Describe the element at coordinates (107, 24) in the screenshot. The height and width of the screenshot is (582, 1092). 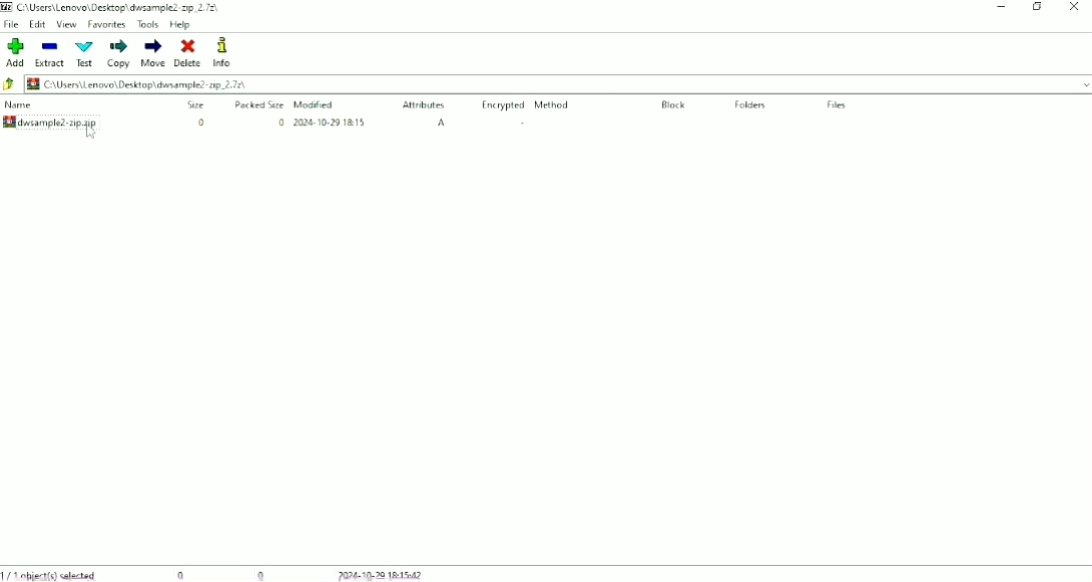
I see `Favorites` at that location.